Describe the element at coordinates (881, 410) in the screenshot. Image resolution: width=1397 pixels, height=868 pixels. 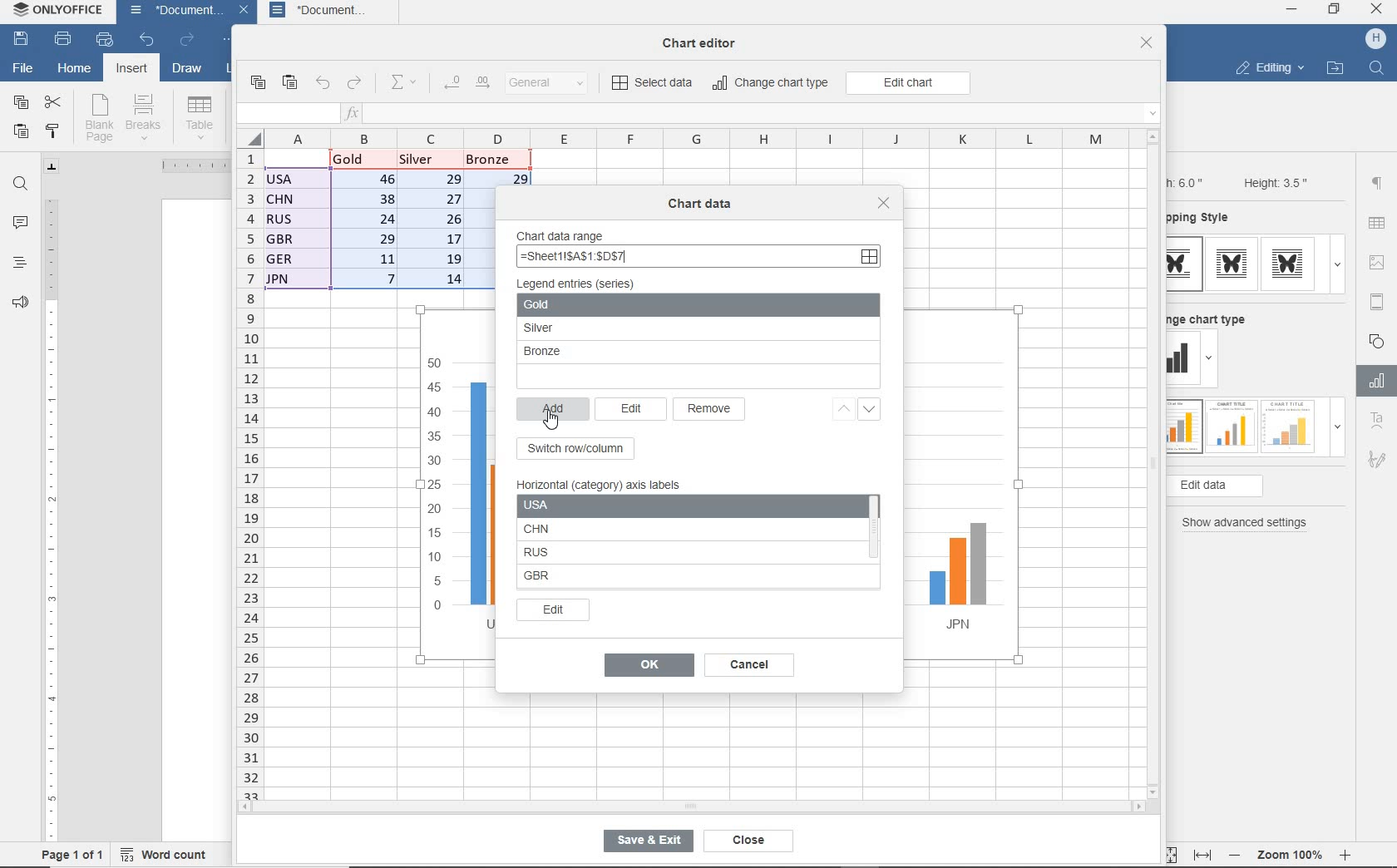
I see `down` at that location.